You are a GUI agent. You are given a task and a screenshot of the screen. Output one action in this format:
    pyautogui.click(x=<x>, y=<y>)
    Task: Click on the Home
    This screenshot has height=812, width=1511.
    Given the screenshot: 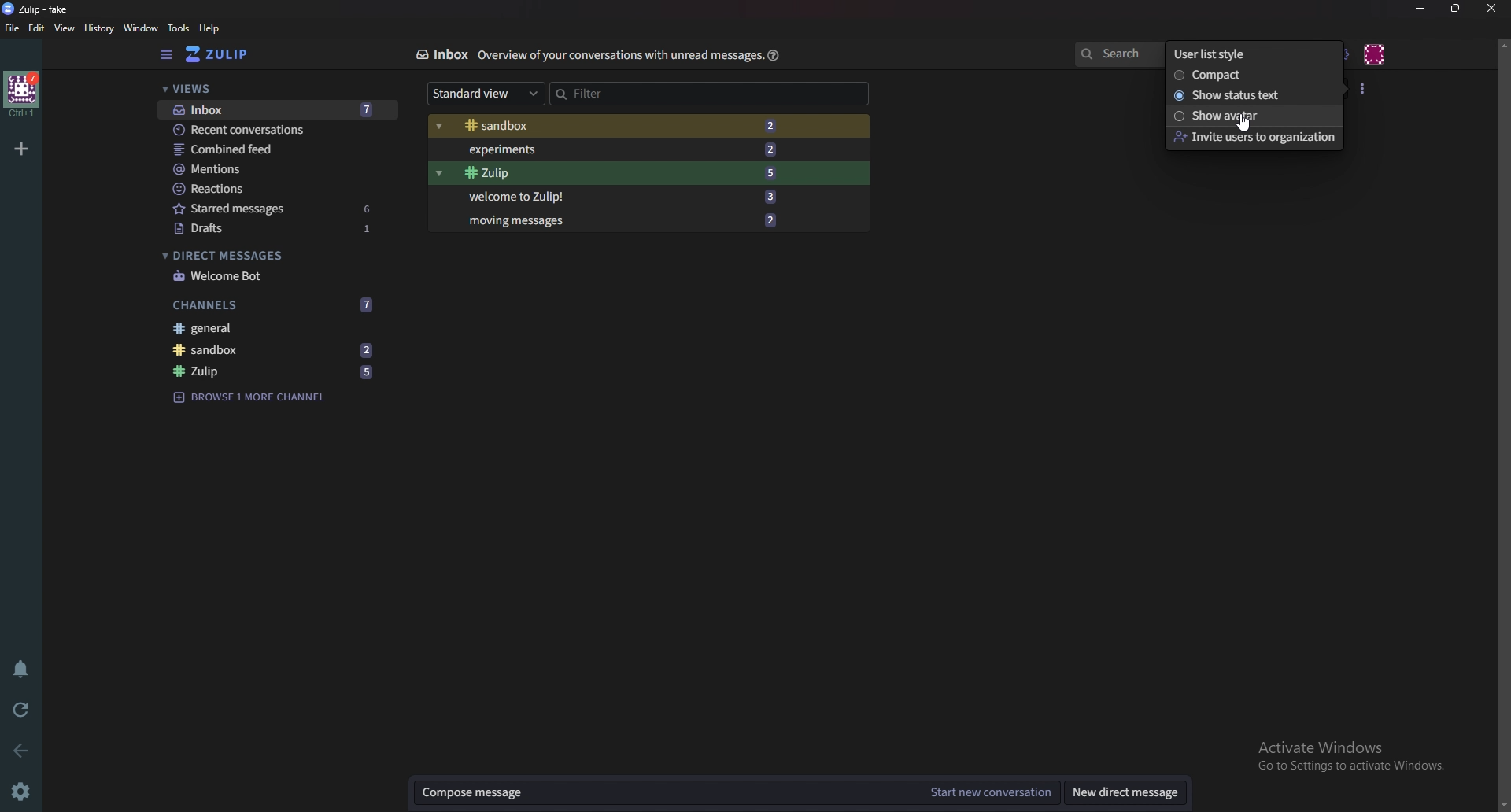 What is the action you would take?
    pyautogui.click(x=22, y=93)
    